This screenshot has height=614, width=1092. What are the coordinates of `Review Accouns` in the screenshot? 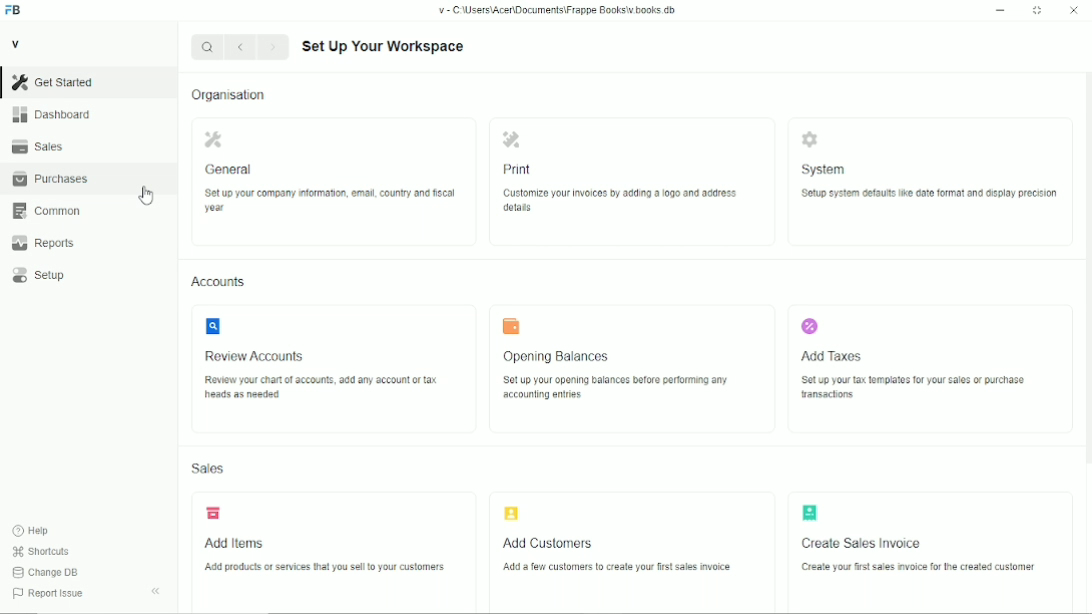 It's located at (260, 353).